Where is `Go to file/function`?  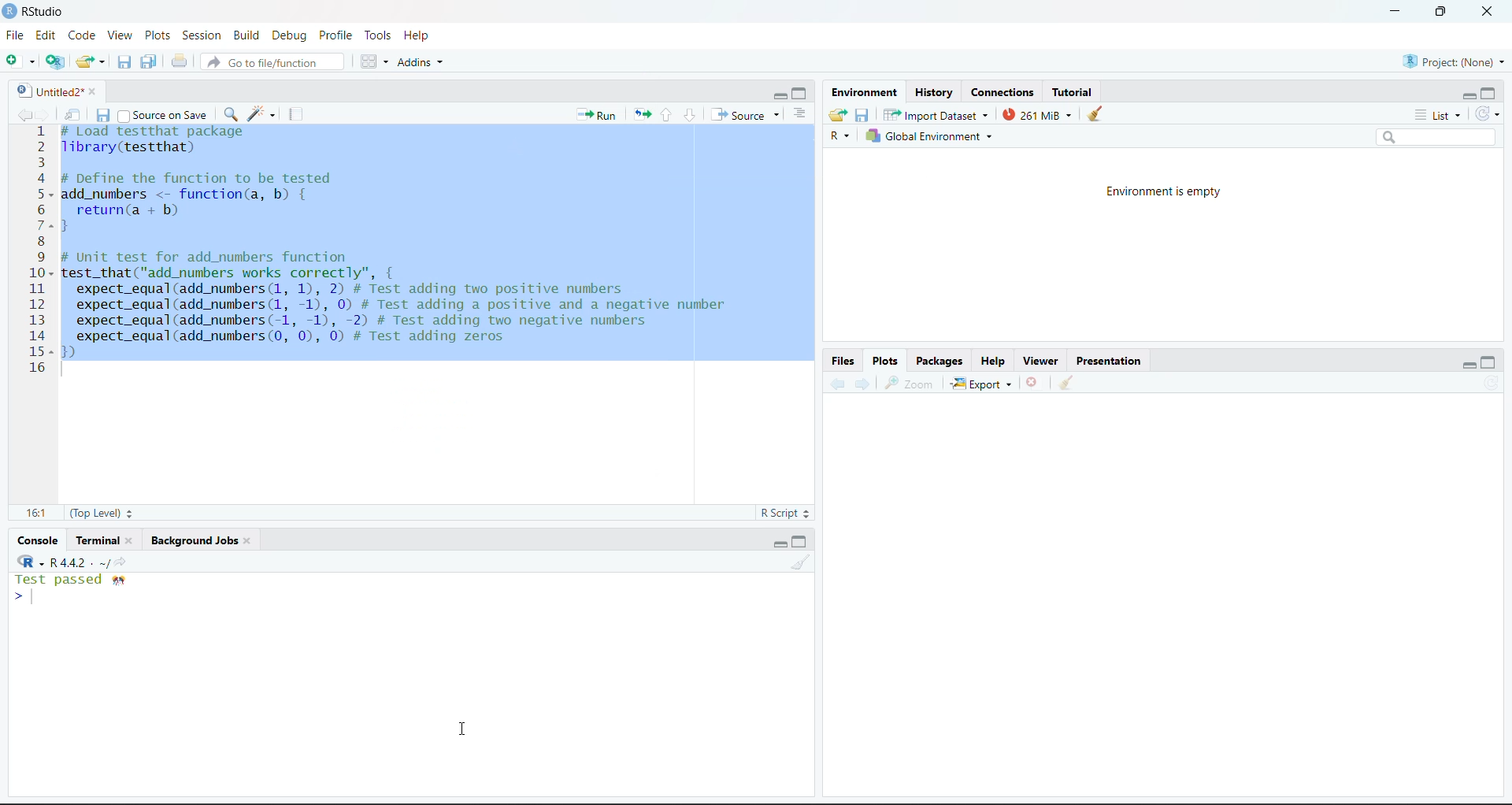
Go to file/function is located at coordinates (274, 61).